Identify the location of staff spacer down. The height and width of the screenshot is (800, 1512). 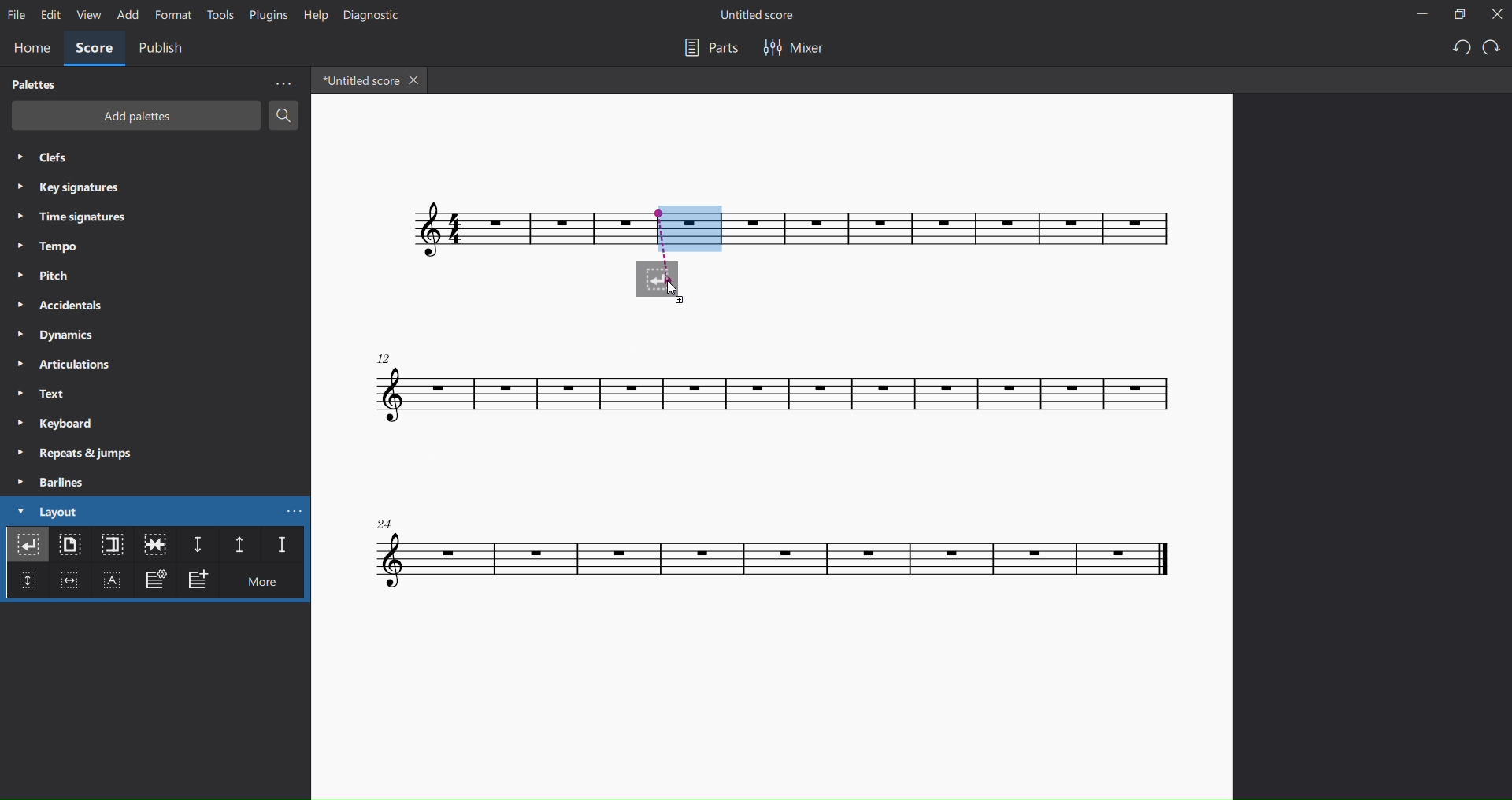
(197, 546).